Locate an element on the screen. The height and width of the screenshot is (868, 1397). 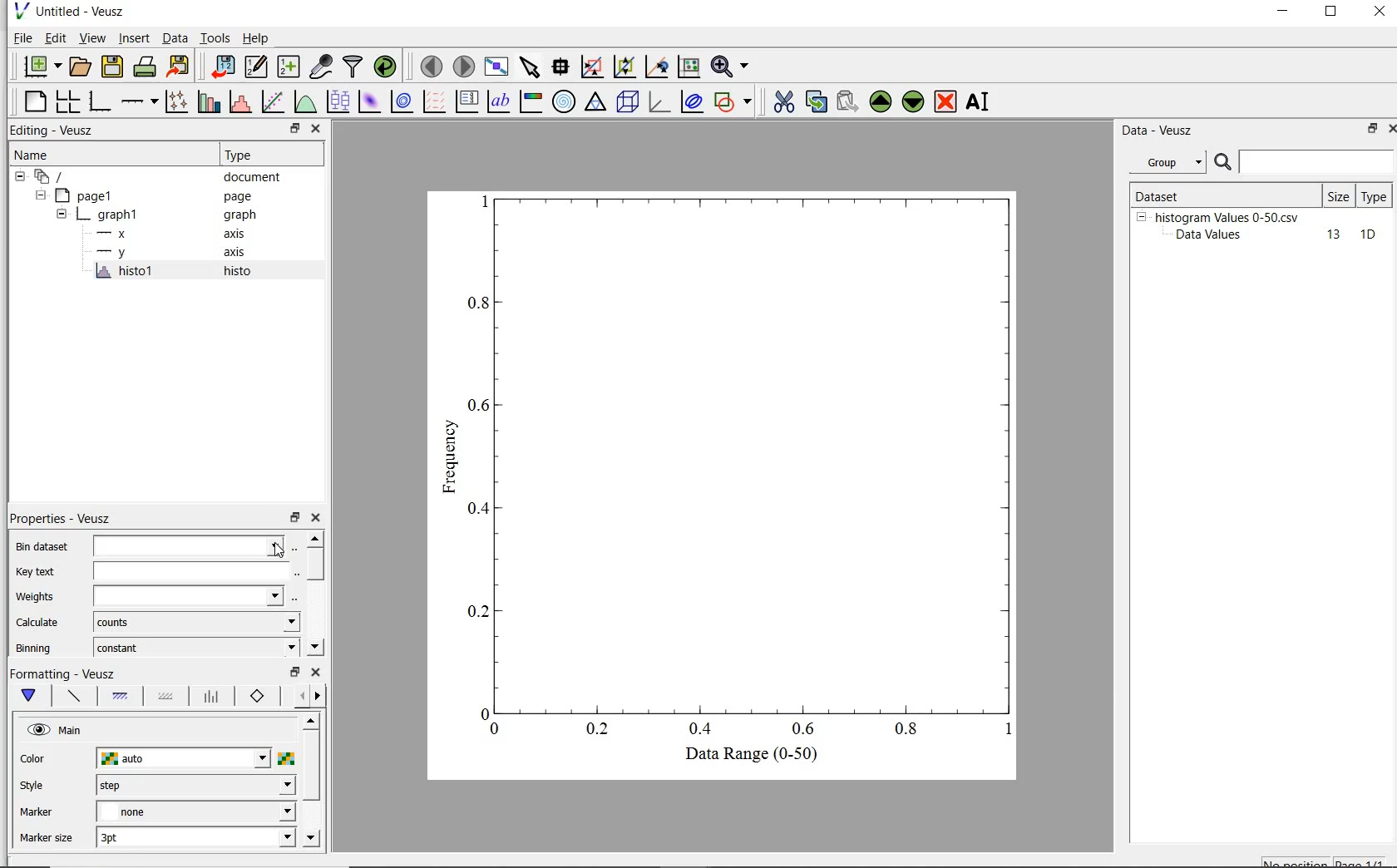
restore down is located at coordinates (294, 129).